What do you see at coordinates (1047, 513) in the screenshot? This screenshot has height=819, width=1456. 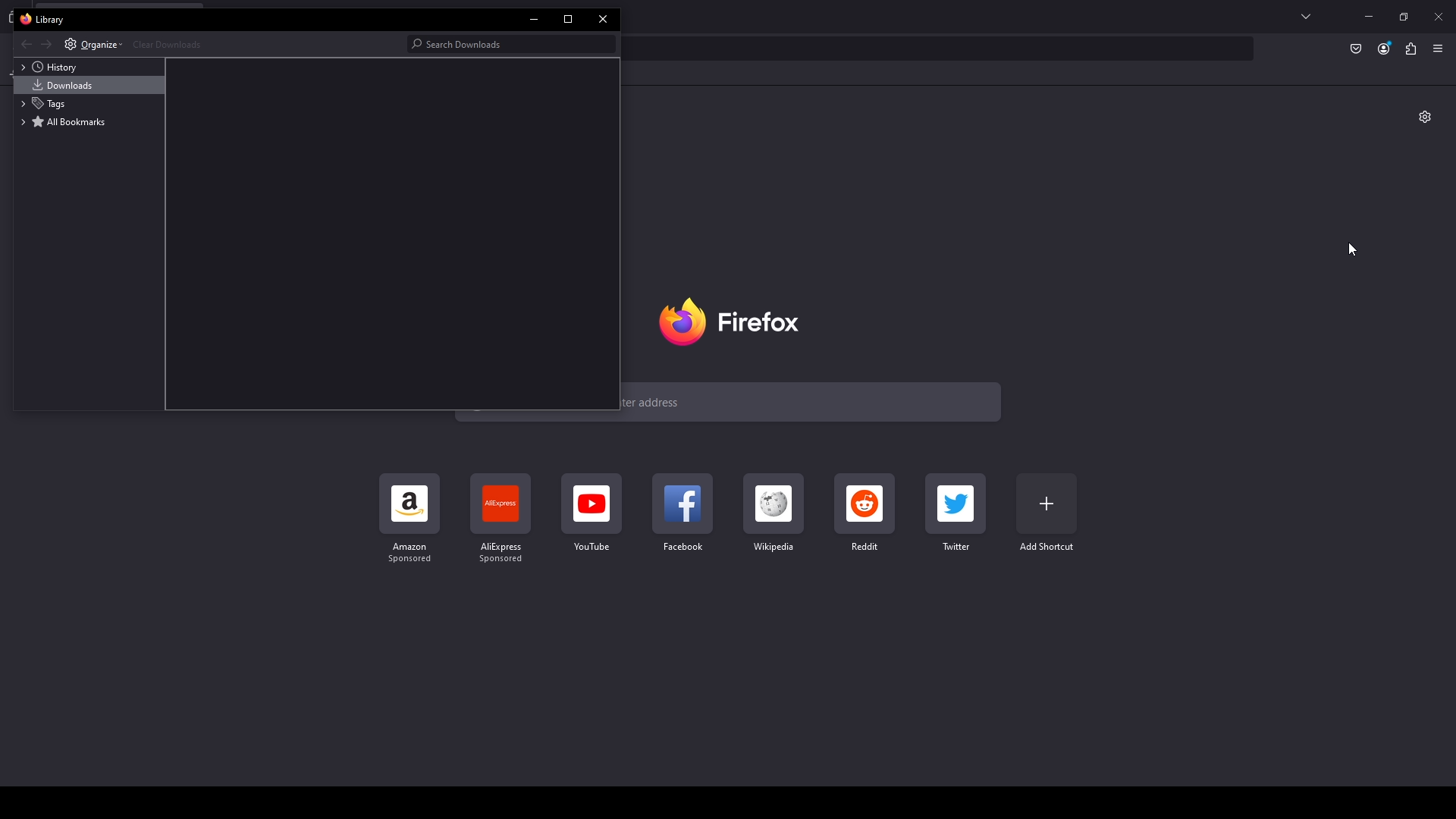 I see `Add shortcut ` at bounding box center [1047, 513].